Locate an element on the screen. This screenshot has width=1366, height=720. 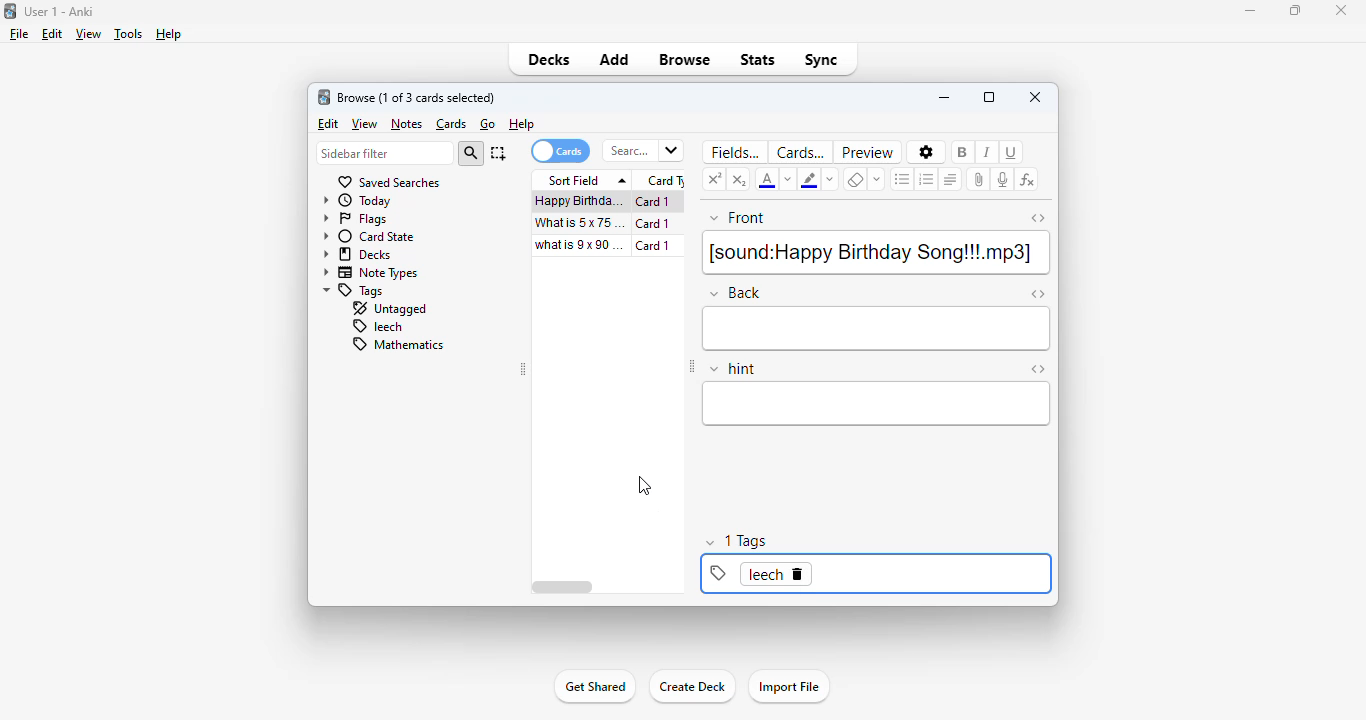
flags is located at coordinates (355, 220).